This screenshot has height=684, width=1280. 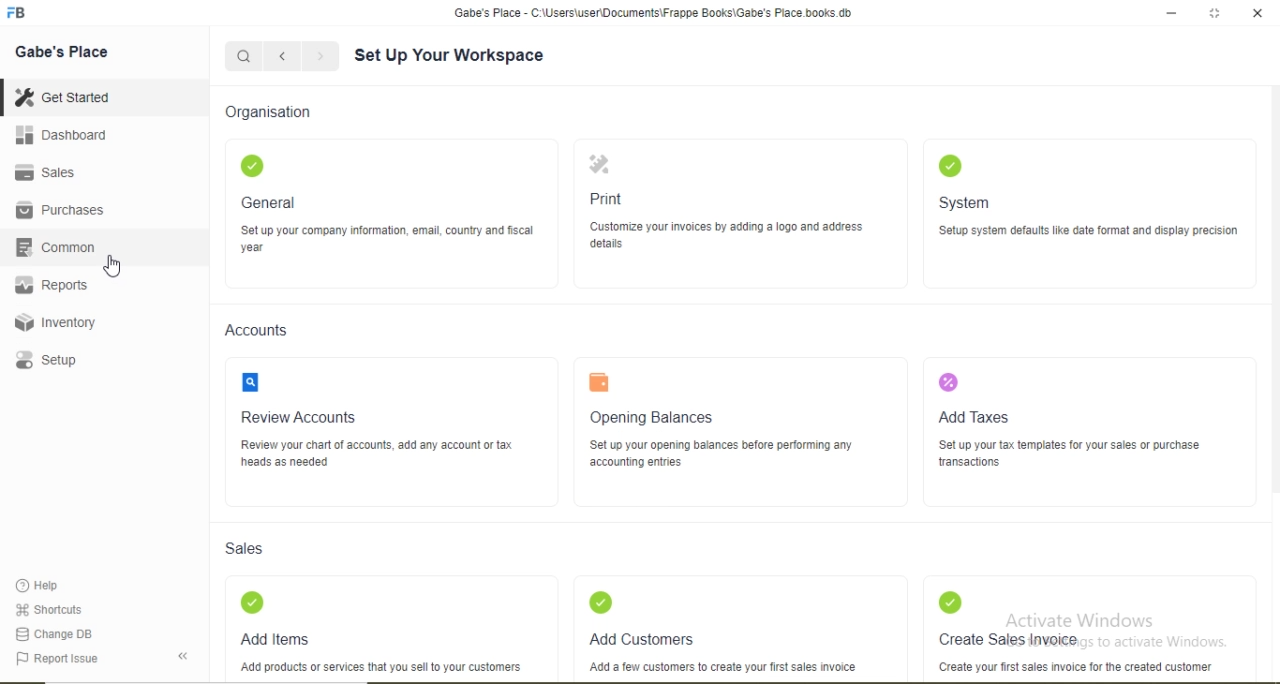 I want to click on Opening Balances, so click(x=652, y=417).